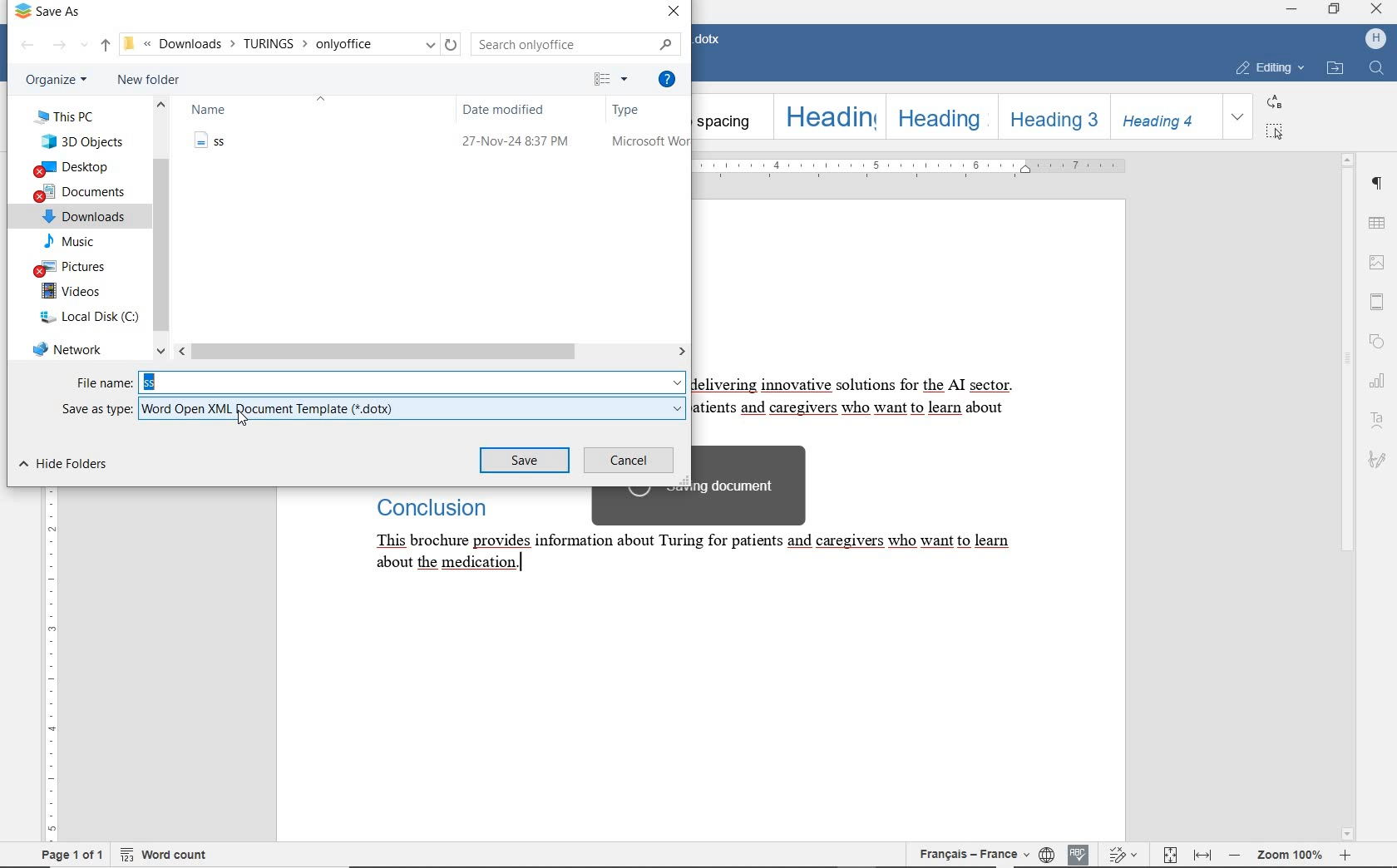 Image resolution: width=1397 pixels, height=868 pixels. I want to click on file, so click(442, 143).